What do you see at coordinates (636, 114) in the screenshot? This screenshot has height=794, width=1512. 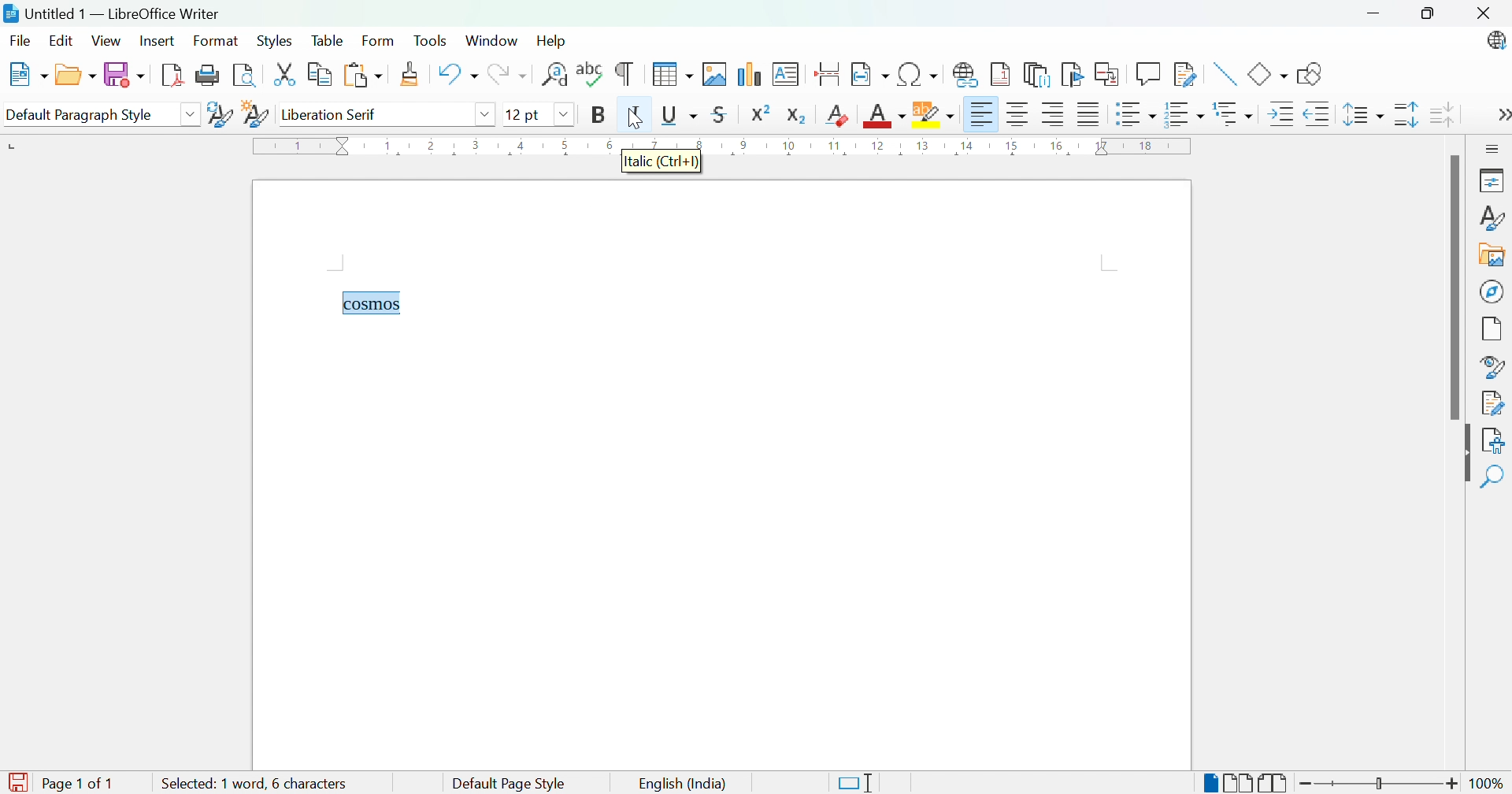 I see `Italic` at bounding box center [636, 114].